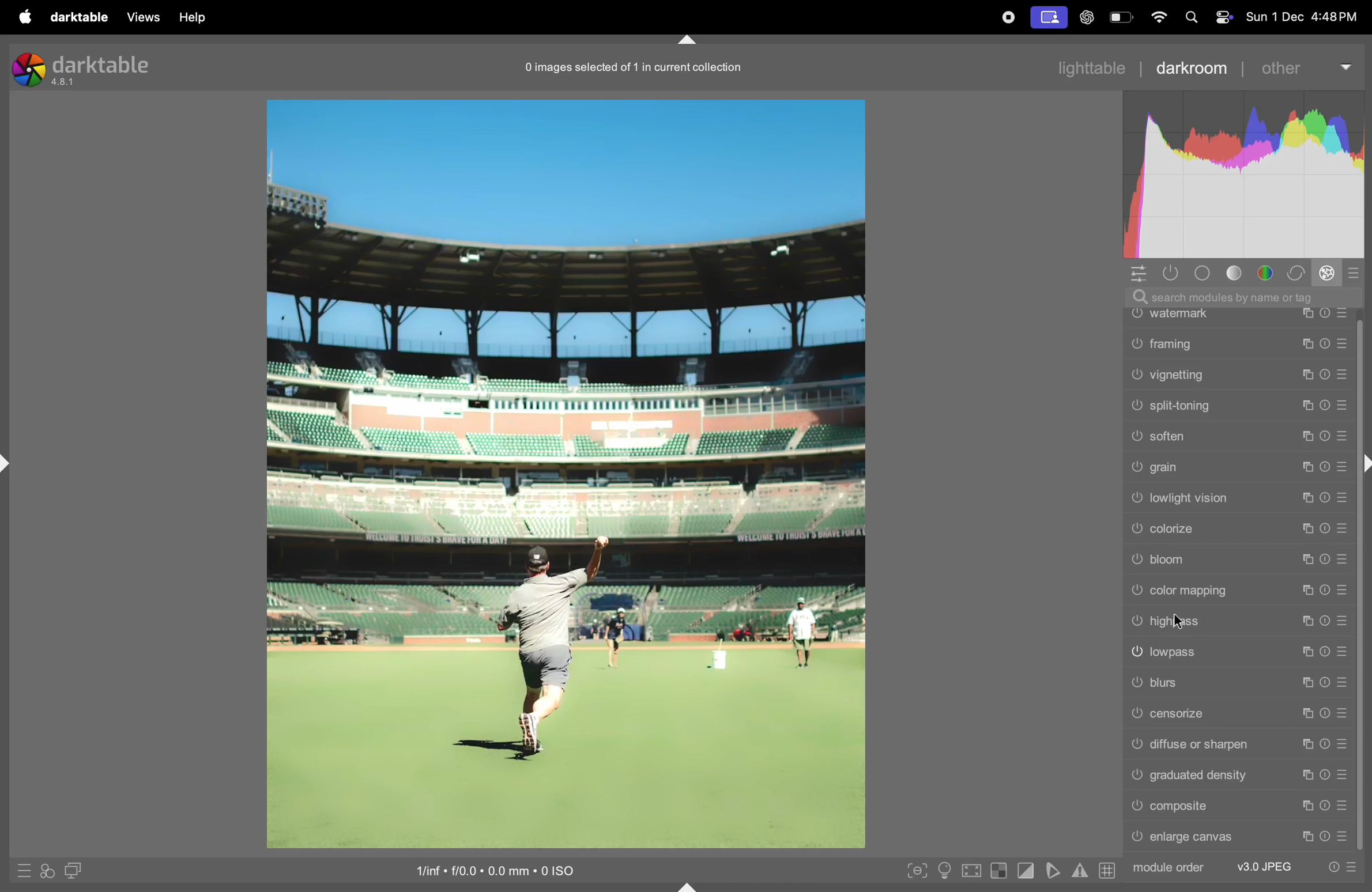  Describe the element at coordinates (1080, 869) in the screenshot. I see `toggle gamut checking` at that location.